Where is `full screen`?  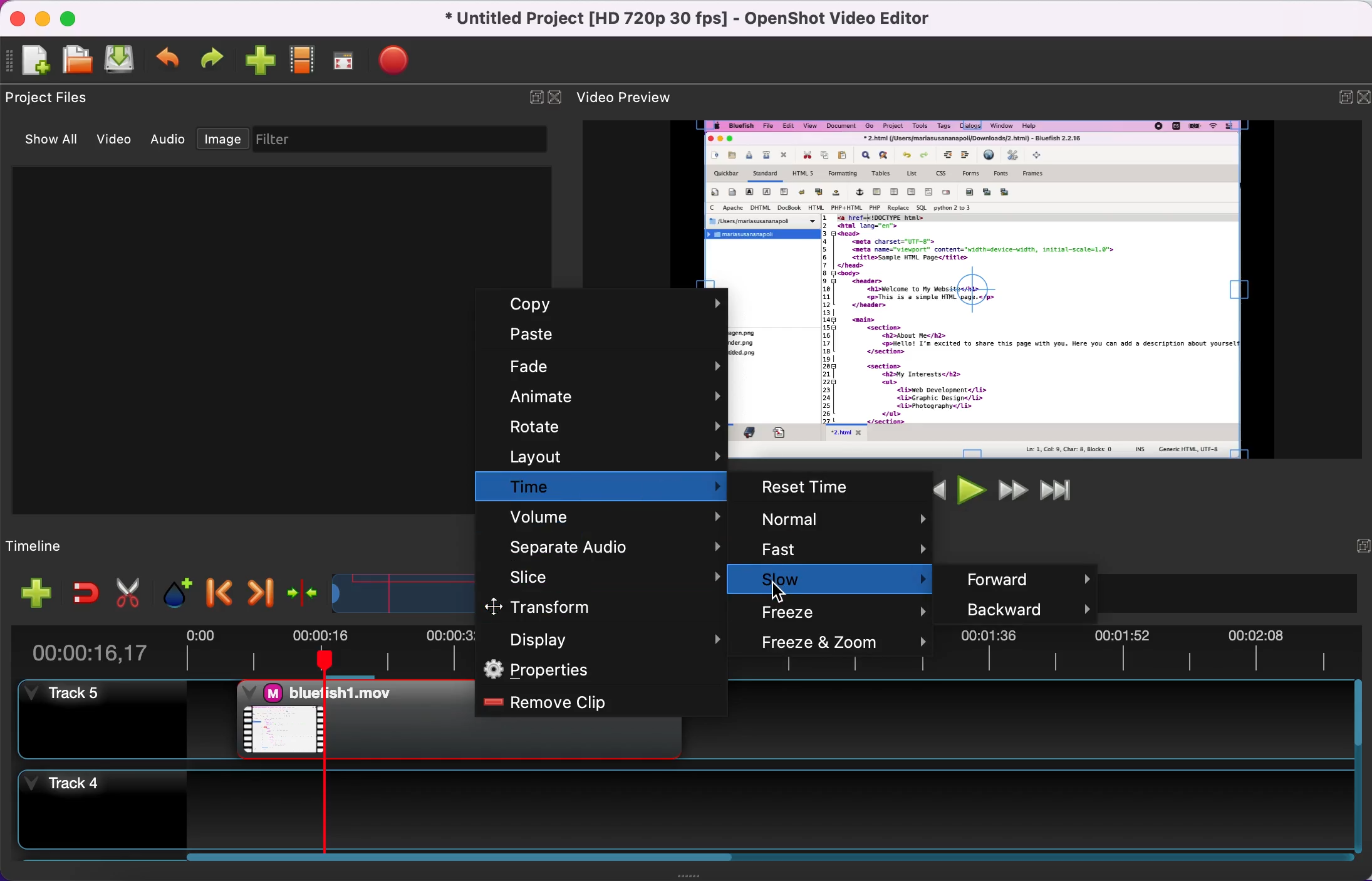 full screen is located at coordinates (350, 61).